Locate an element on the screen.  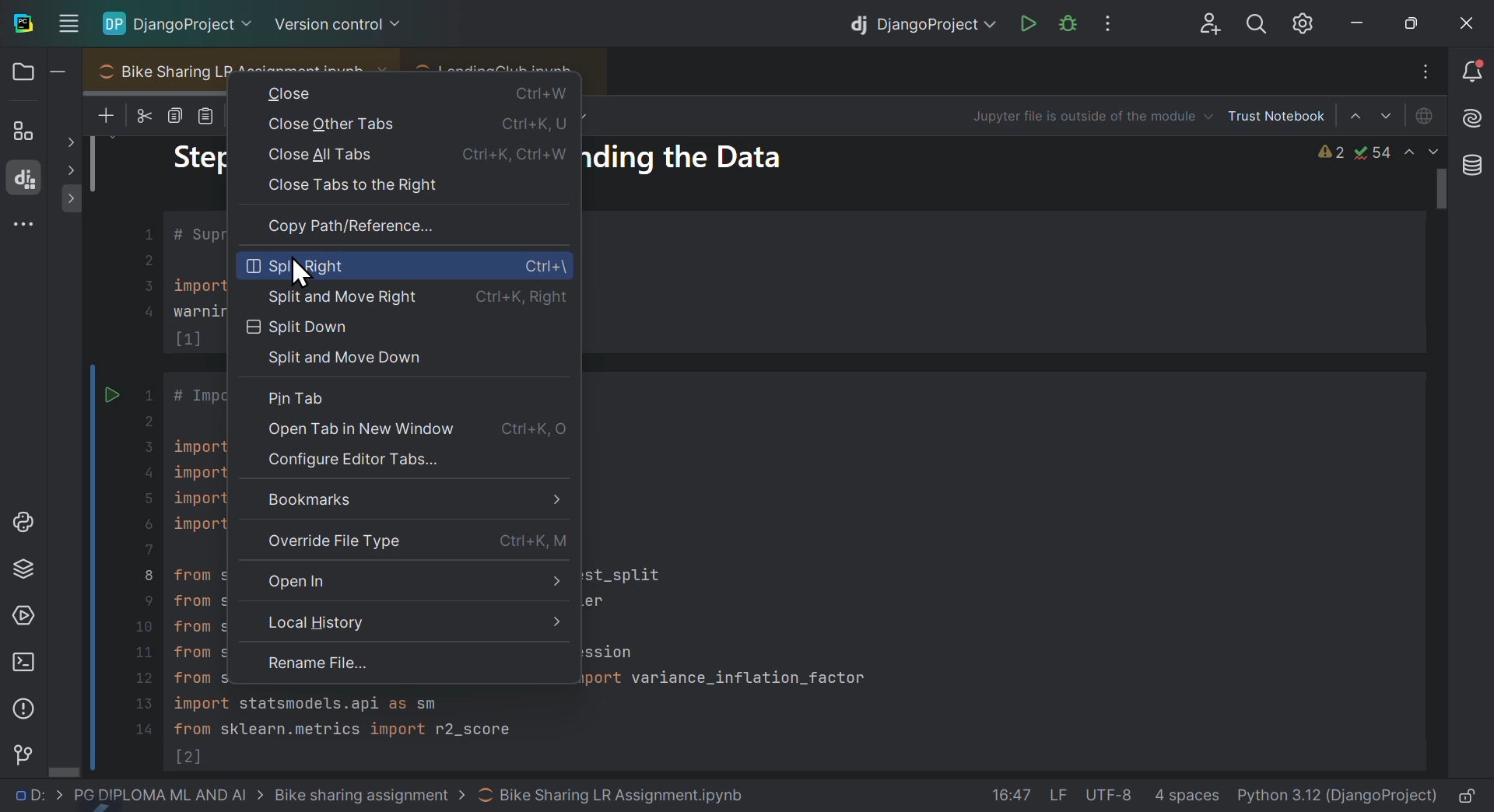
Terminal is located at coordinates (22, 665).